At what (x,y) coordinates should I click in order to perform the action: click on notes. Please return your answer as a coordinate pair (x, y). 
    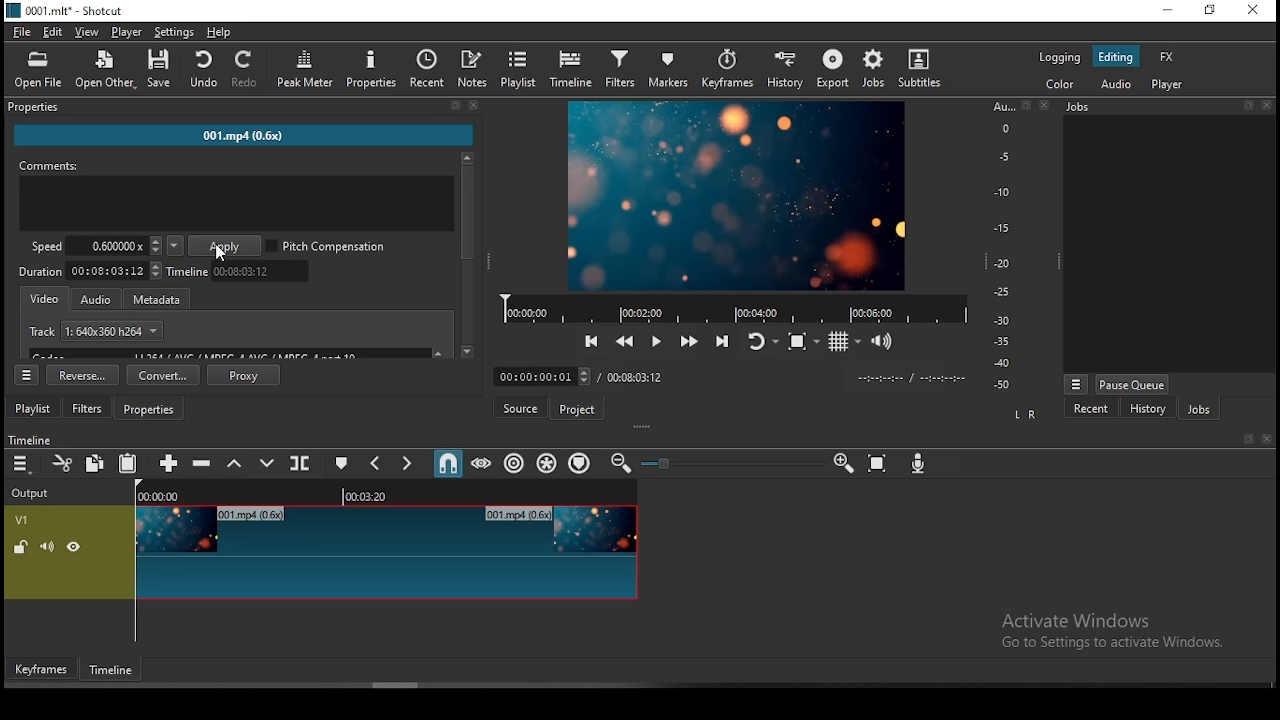
    Looking at the image, I should click on (472, 69).